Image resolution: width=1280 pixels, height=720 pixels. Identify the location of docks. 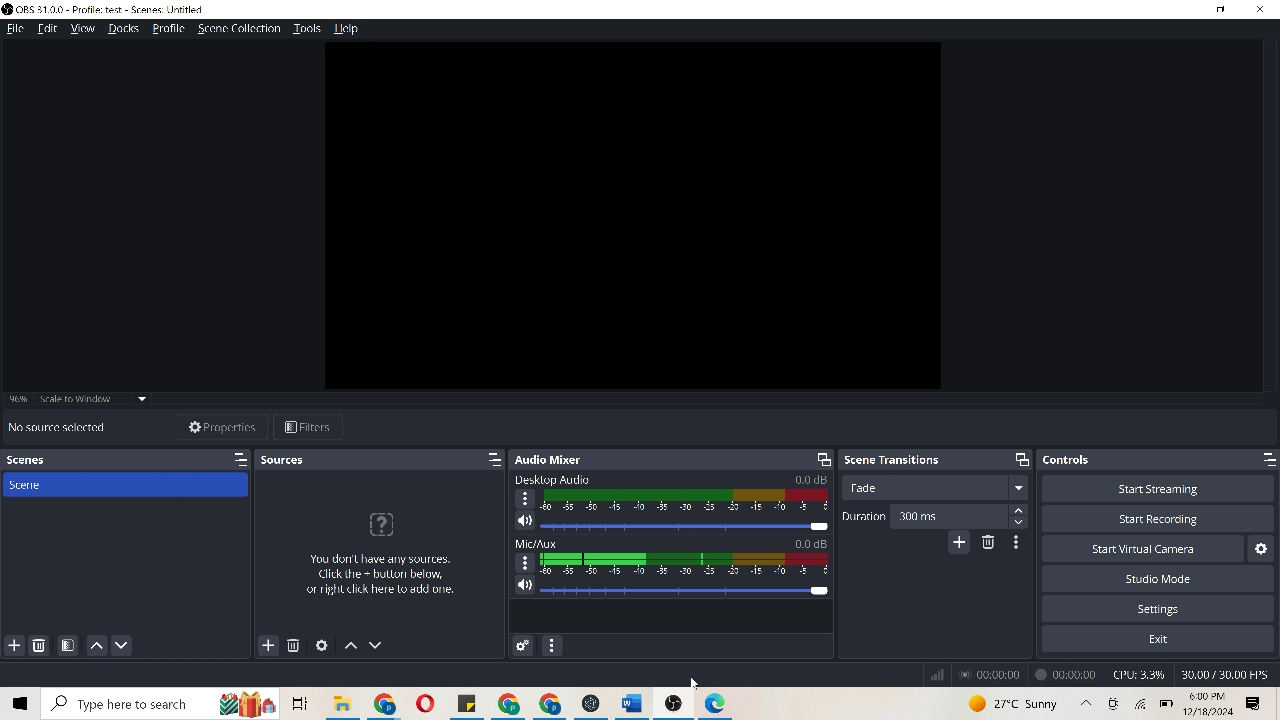
(119, 29).